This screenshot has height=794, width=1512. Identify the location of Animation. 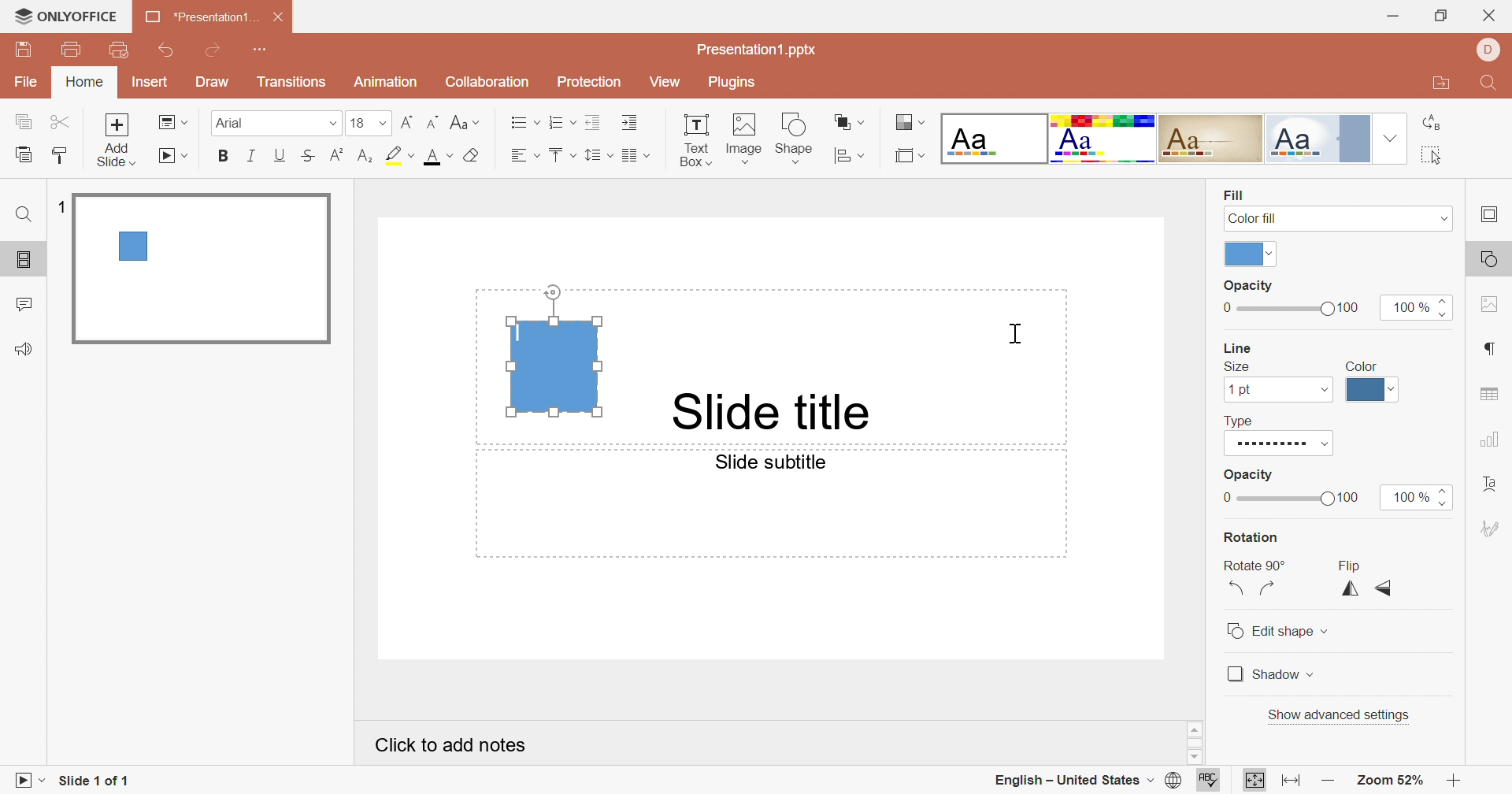
(389, 80).